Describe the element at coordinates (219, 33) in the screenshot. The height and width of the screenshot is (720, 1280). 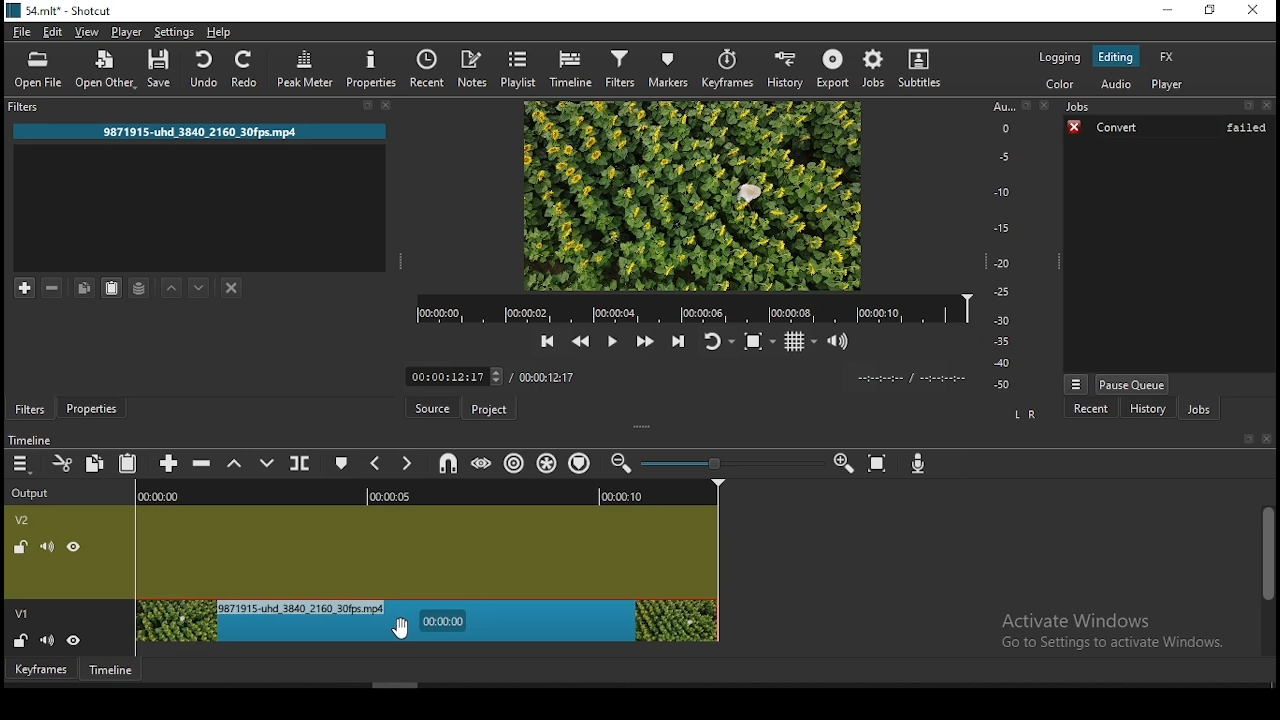
I see `help` at that location.